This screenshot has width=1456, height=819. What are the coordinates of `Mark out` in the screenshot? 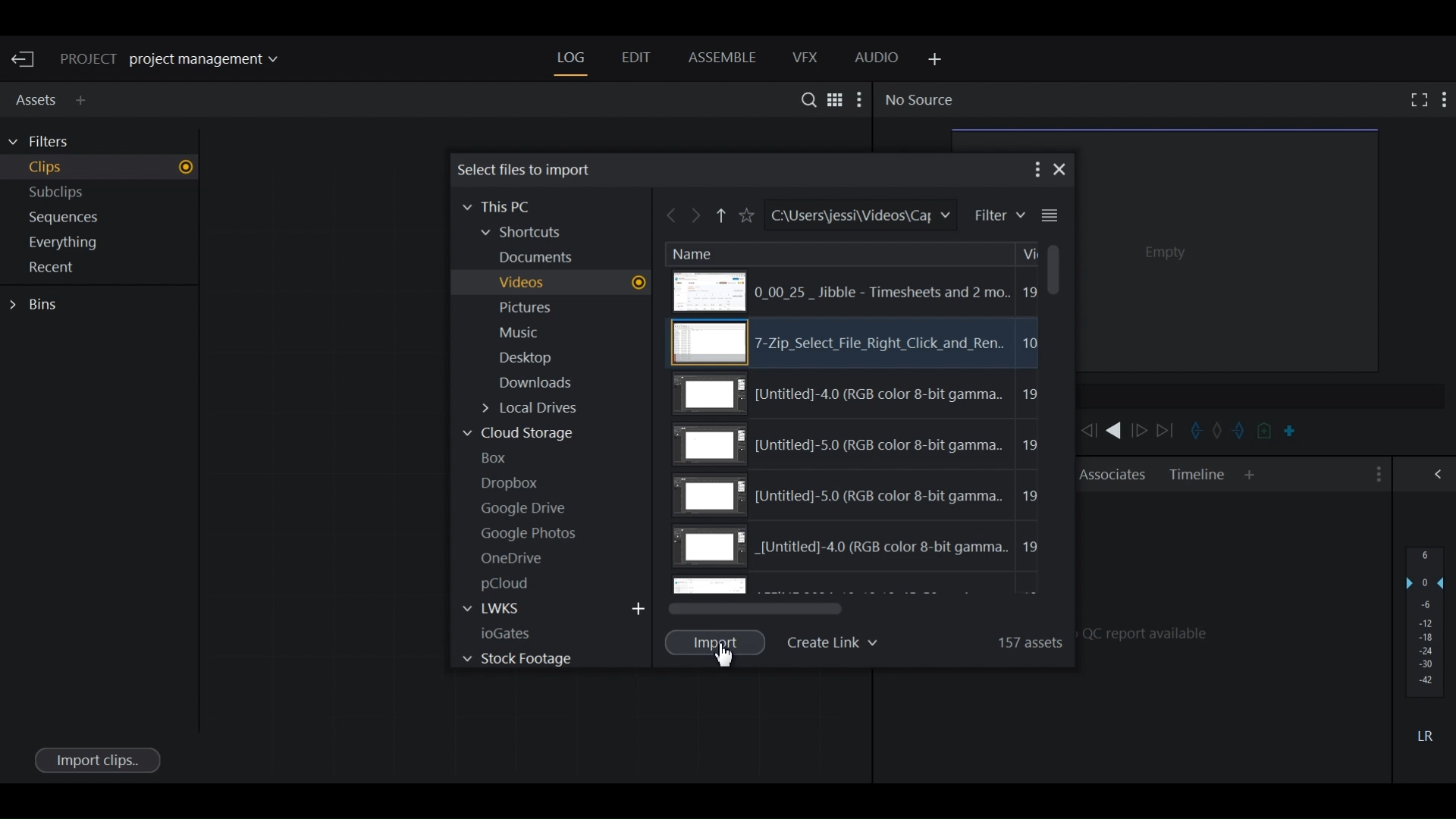 It's located at (1241, 430).